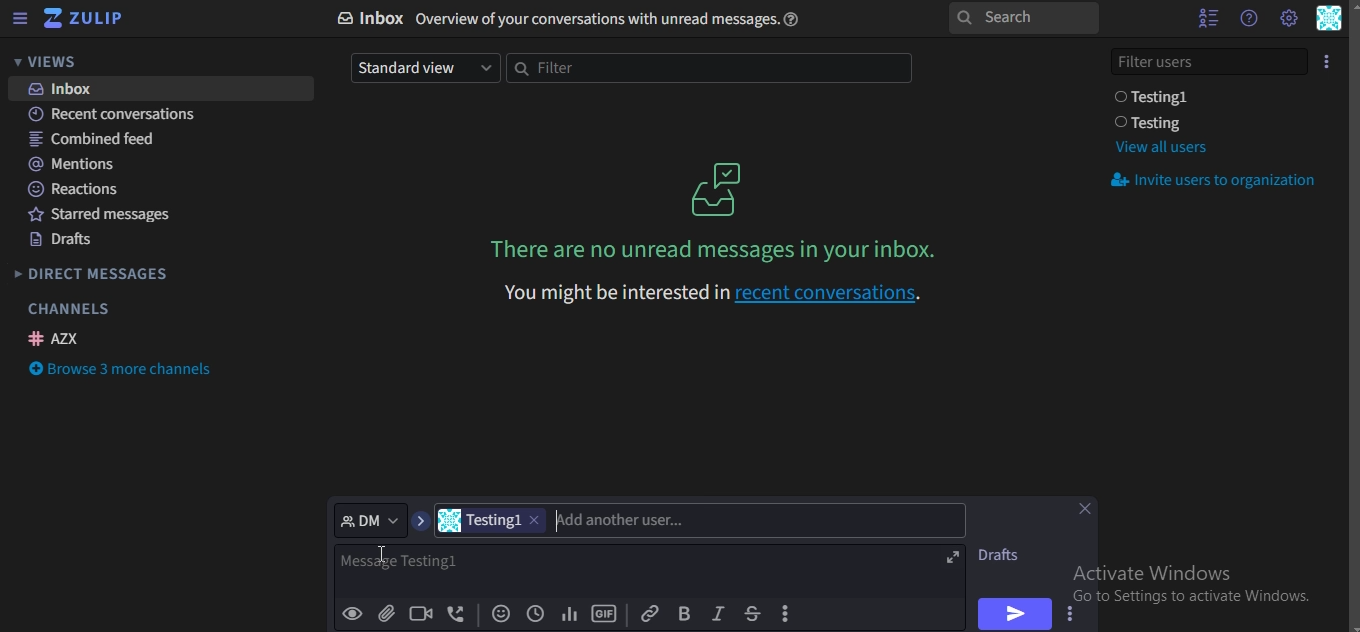 Image resolution: width=1360 pixels, height=632 pixels. Describe the element at coordinates (125, 116) in the screenshot. I see `recent conversations` at that location.